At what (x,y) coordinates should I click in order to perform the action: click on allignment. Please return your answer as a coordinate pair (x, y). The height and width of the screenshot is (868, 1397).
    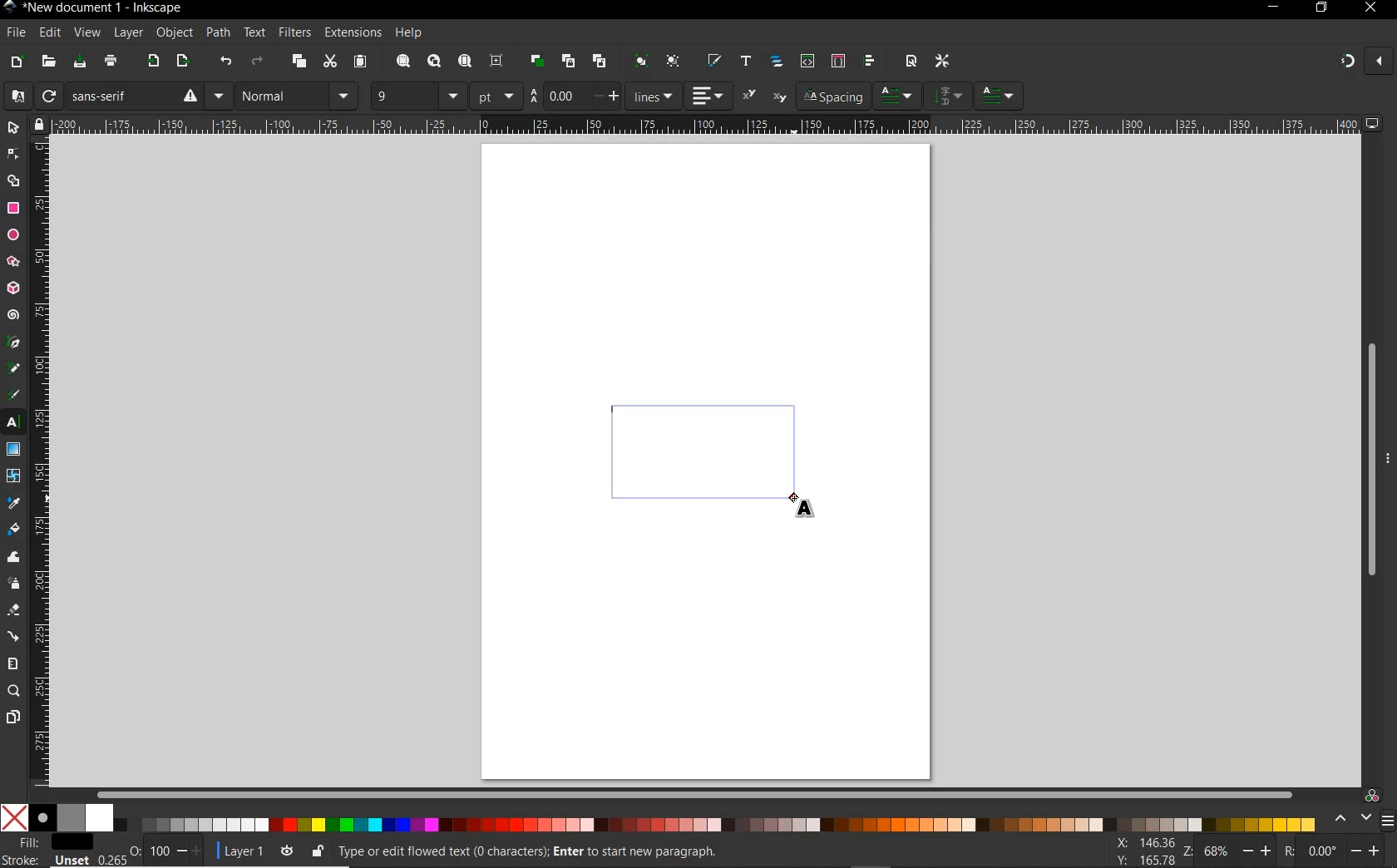
    Looking at the image, I should click on (708, 96).